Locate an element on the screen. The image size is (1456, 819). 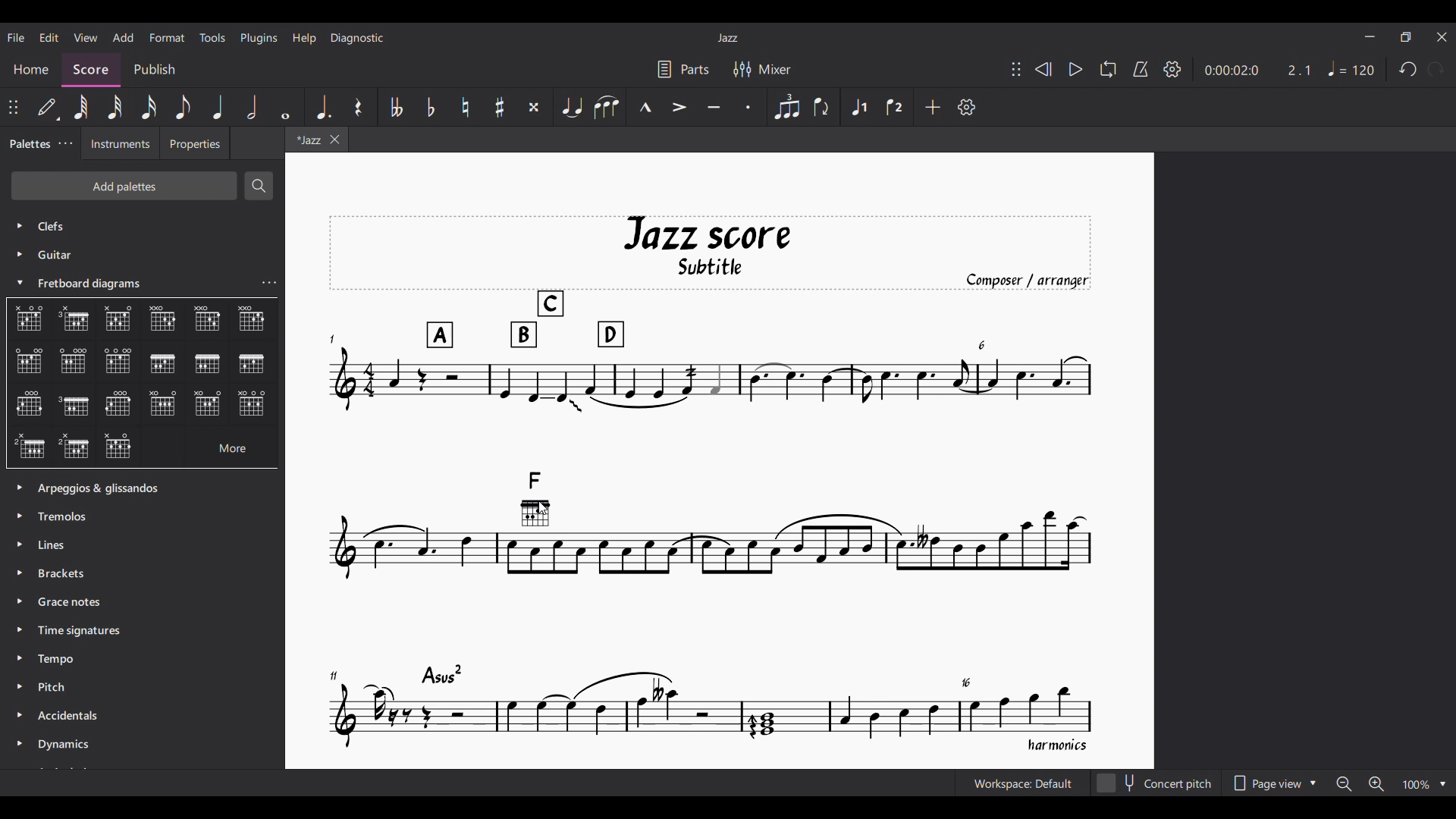
Change position is located at coordinates (1016, 69).